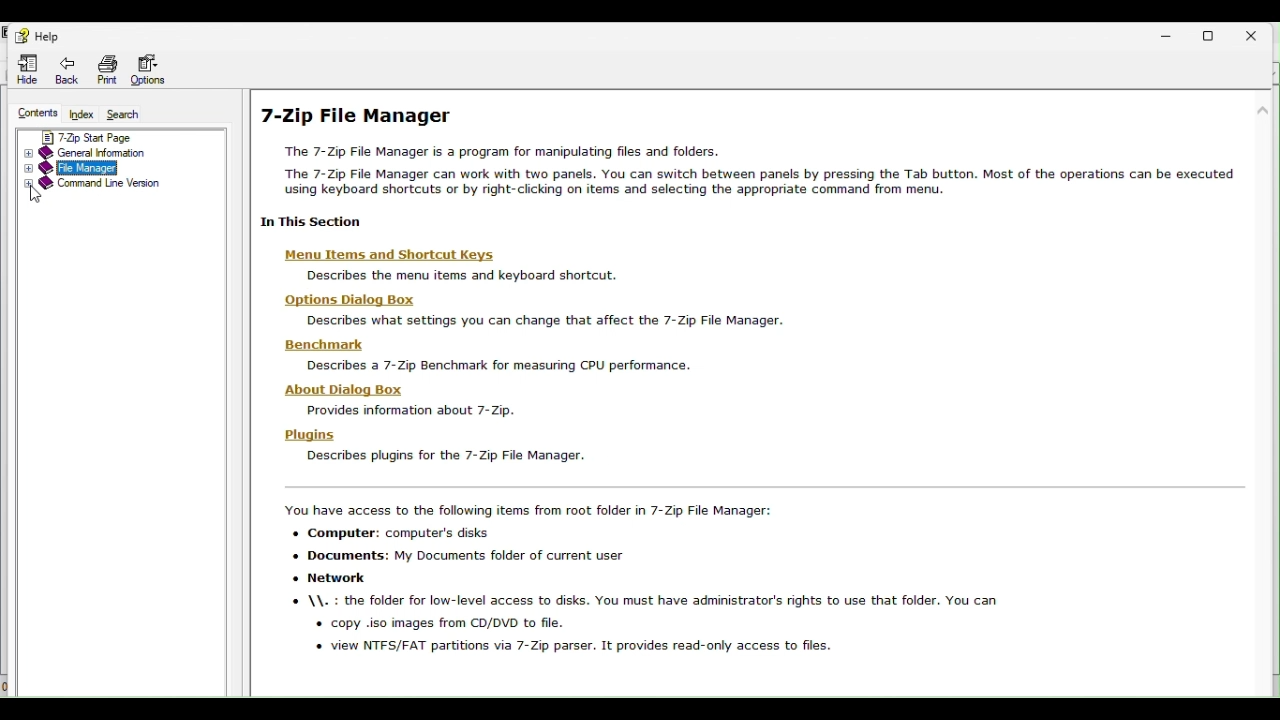 This screenshot has height=720, width=1280. I want to click on | In This Section, so click(314, 223).